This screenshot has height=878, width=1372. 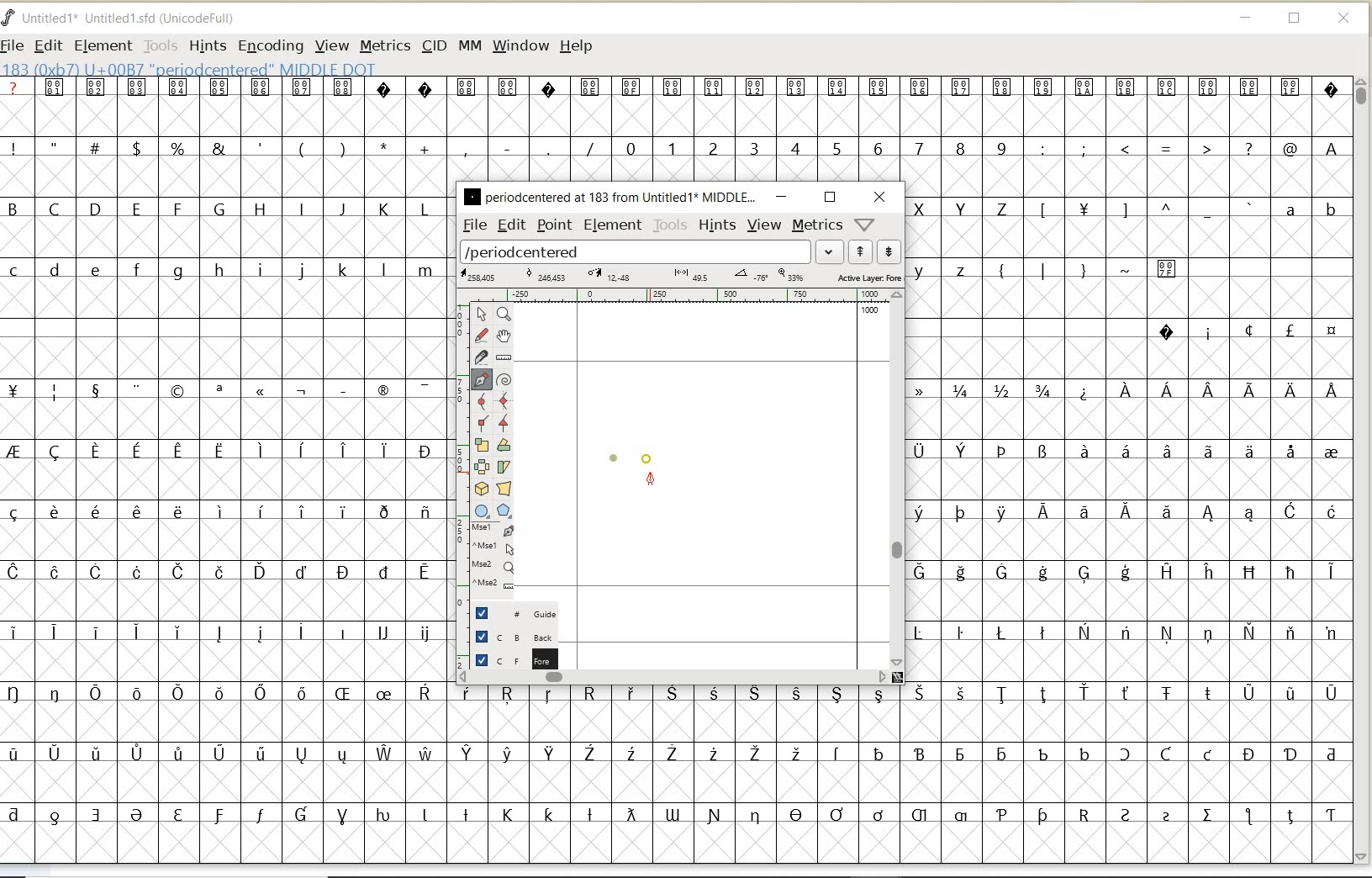 What do you see at coordinates (481, 422) in the screenshot?
I see `Add a corner point` at bounding box center [481, 422].